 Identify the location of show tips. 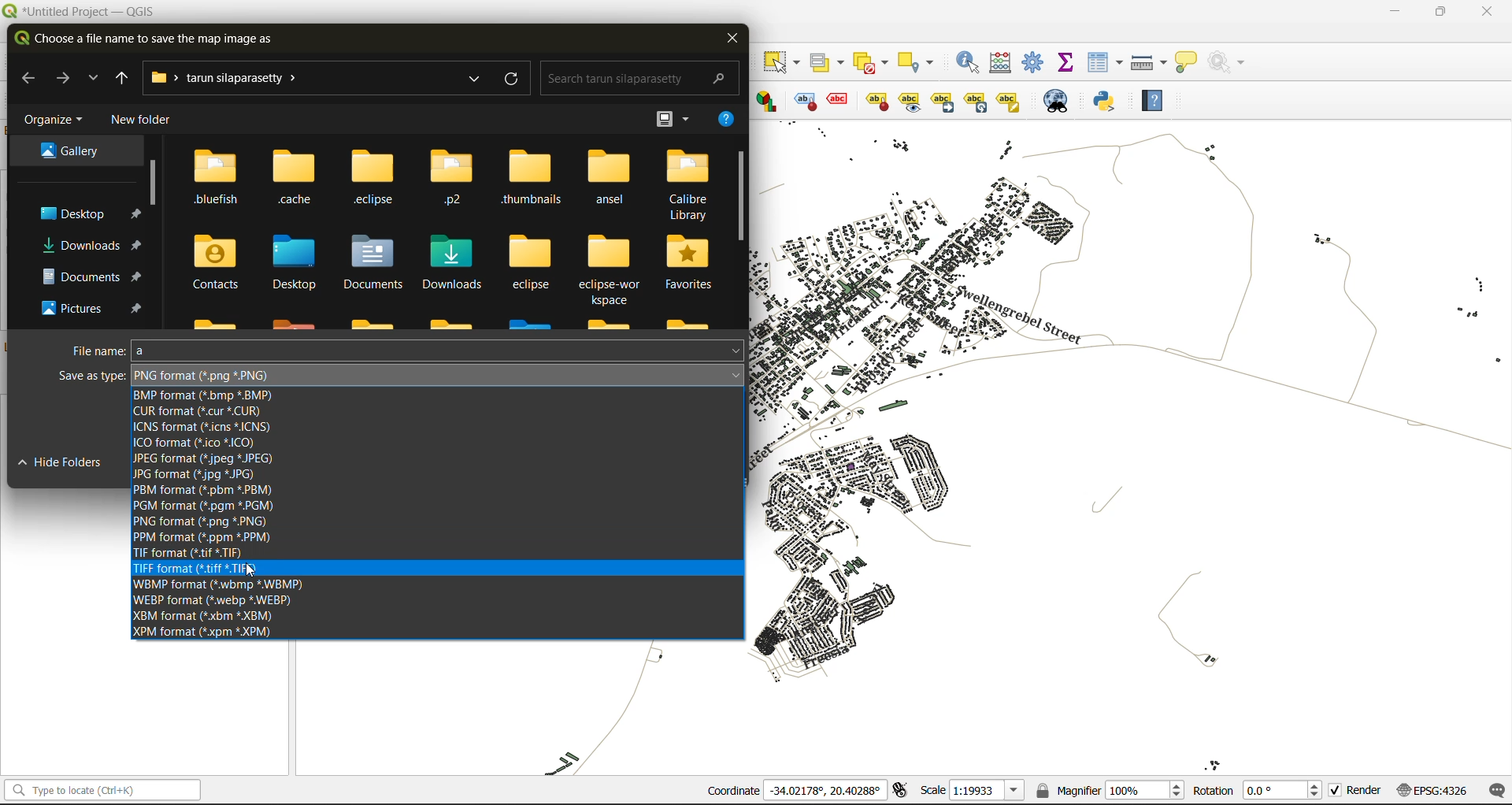
(1191, 61).